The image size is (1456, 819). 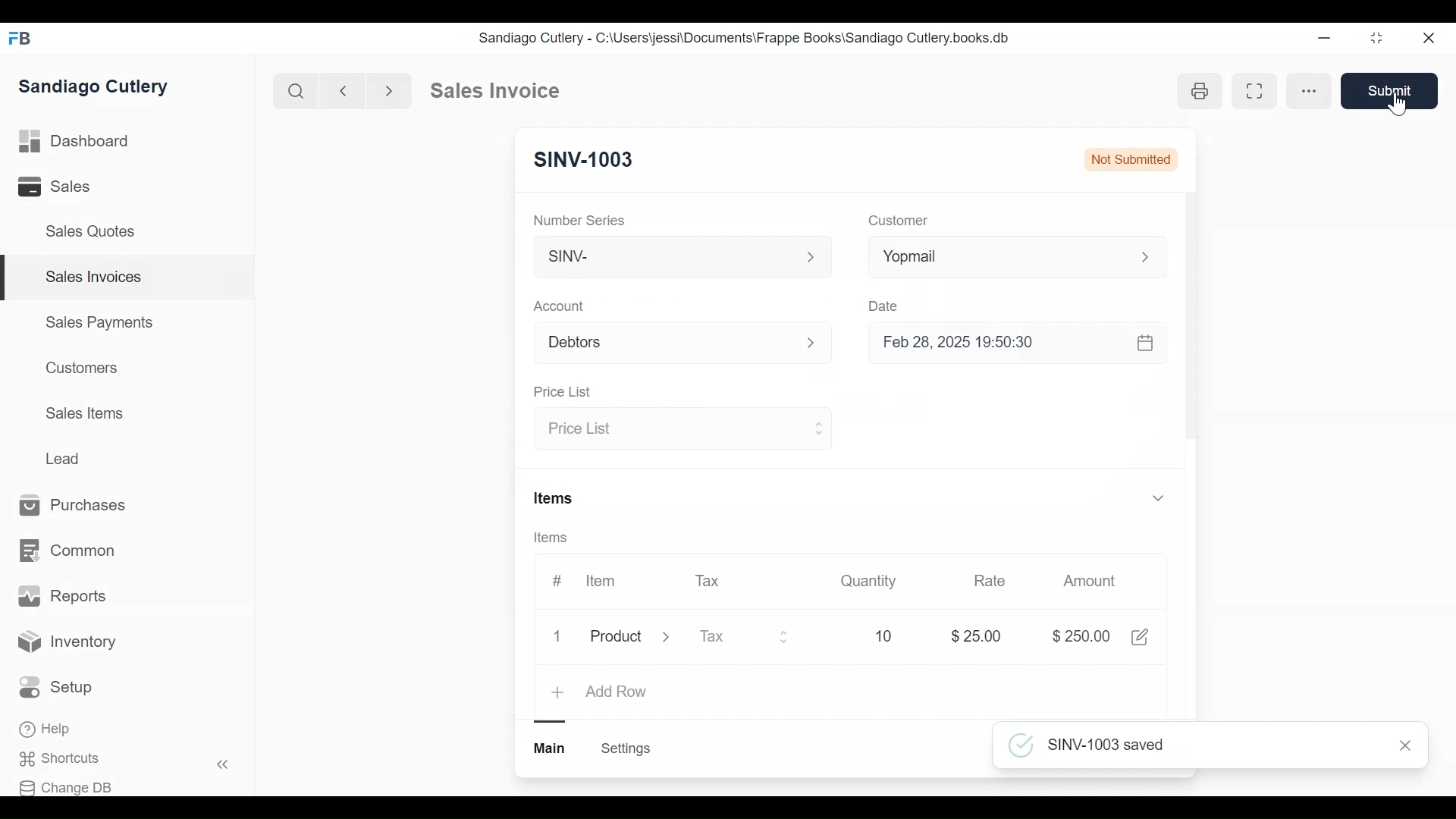 What do you see at coordinates (1090, 581) in the screenshot?
I see `Amount` at bounding box center [1090, 581].